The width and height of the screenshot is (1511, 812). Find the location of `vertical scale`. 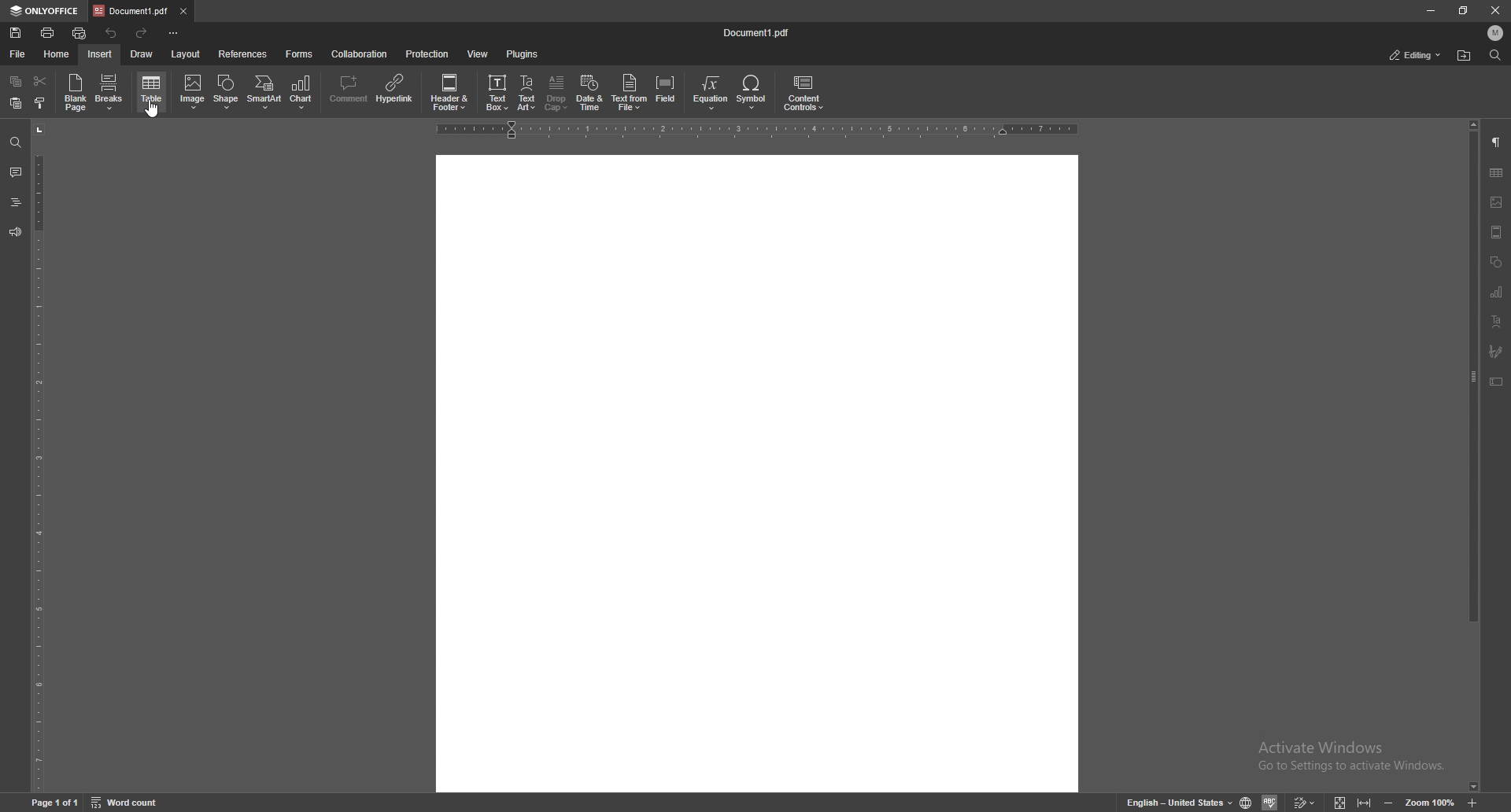

vertical scale is located at coordinates (39, 456).